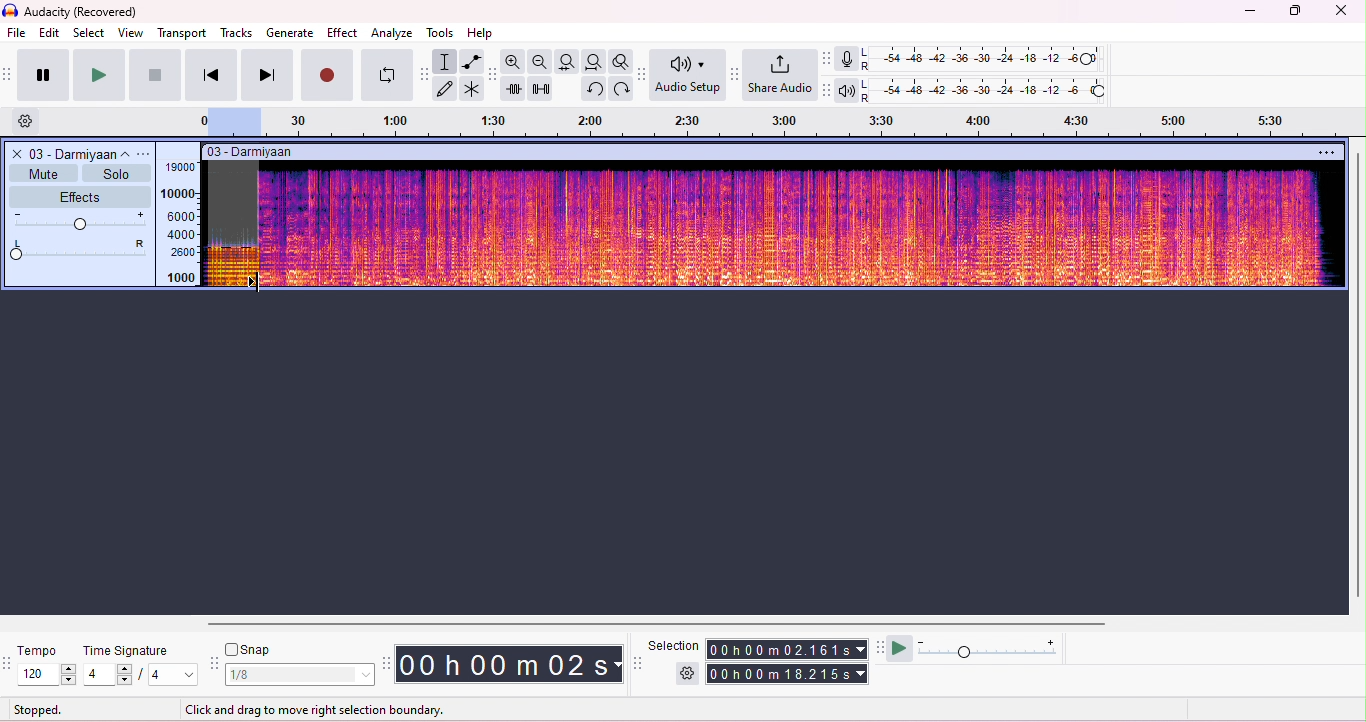  What do you see at coordinates (988, 648) in the screenshot?
I see `playback speed` at bounding box center [988, 648].